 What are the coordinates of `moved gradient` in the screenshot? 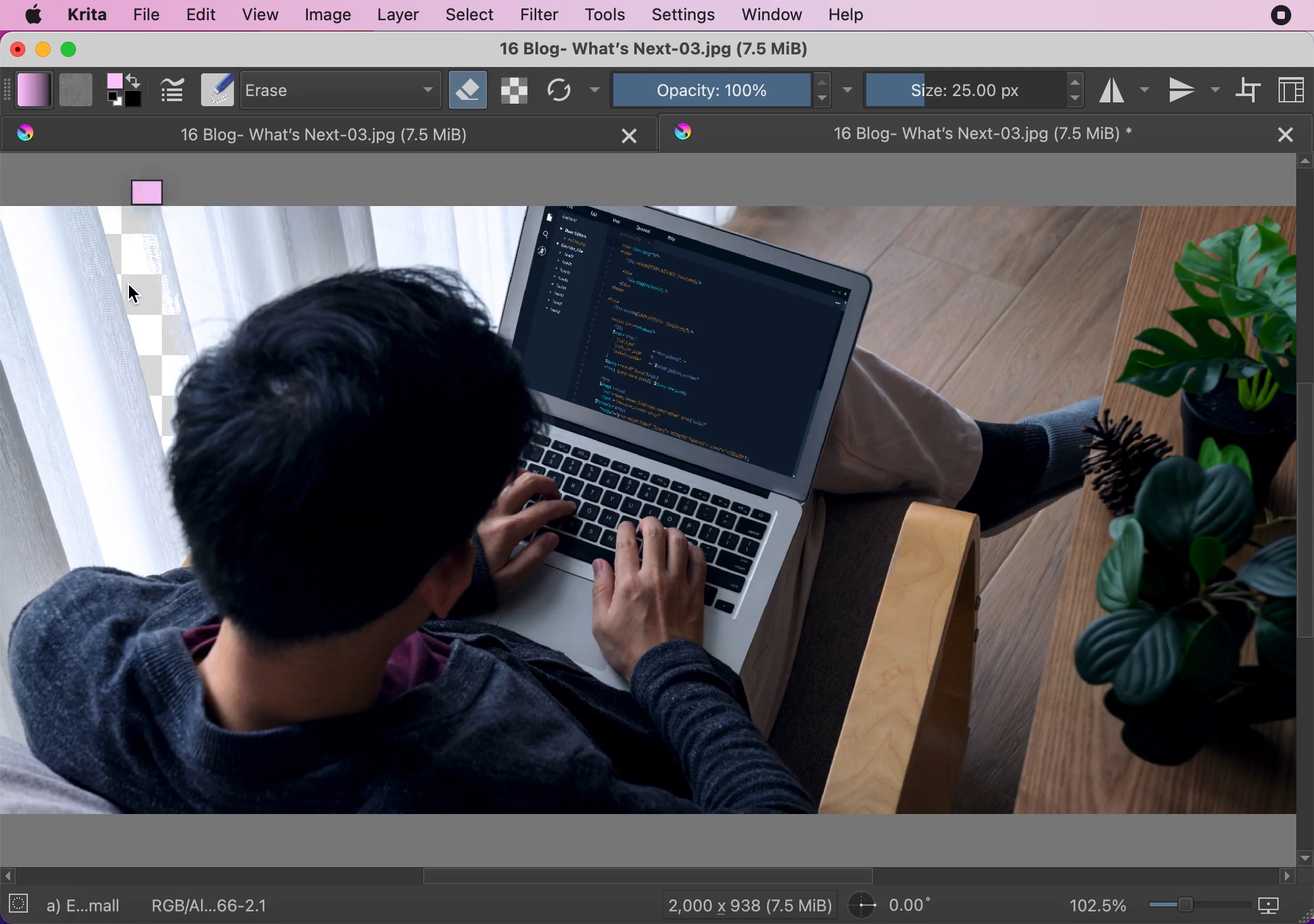 It's located at (146, 189).